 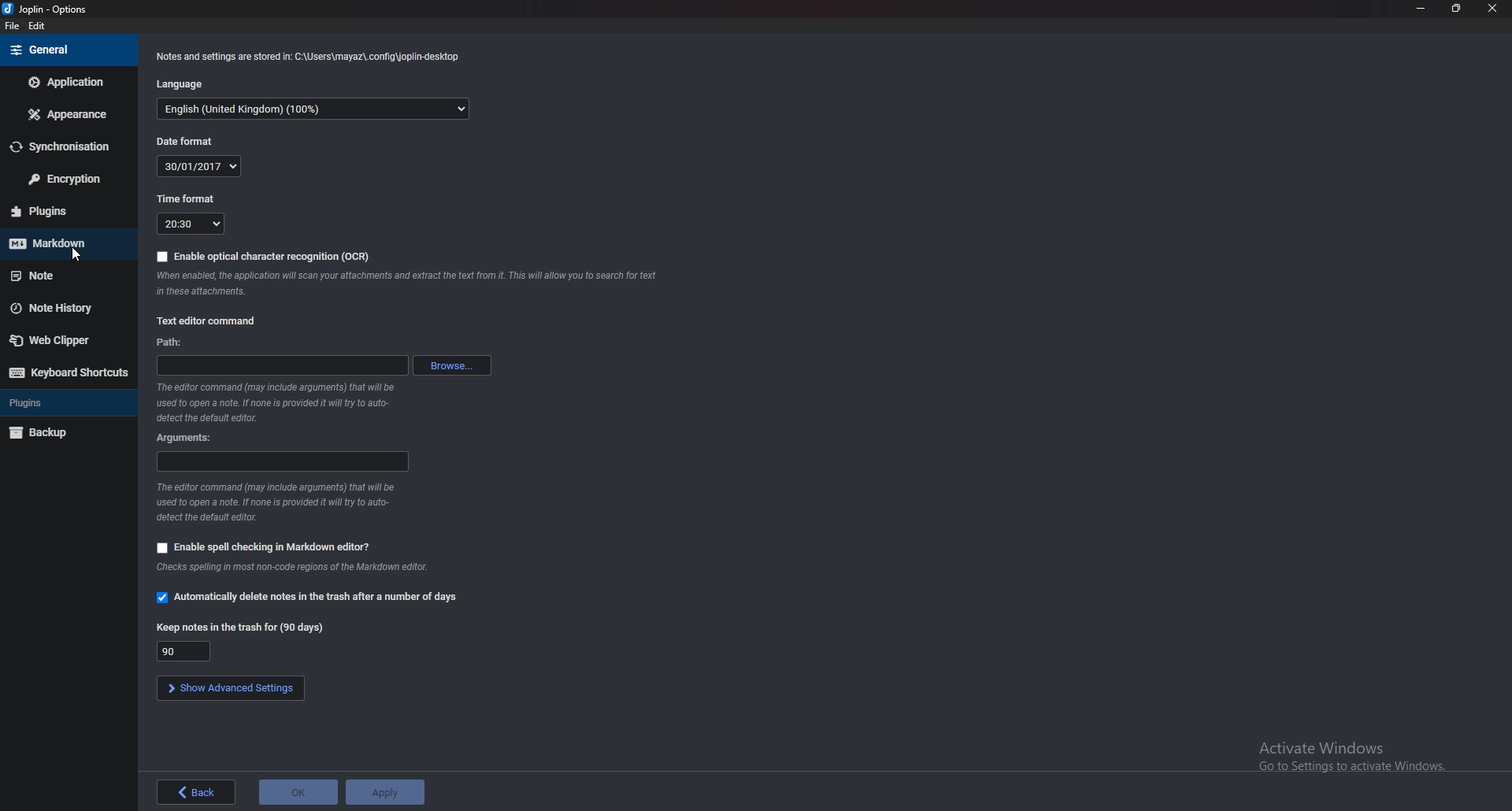 What do you see at coordinates (299, 792) in the screenshot?
I see `ok` at bounding box center [299, 792].